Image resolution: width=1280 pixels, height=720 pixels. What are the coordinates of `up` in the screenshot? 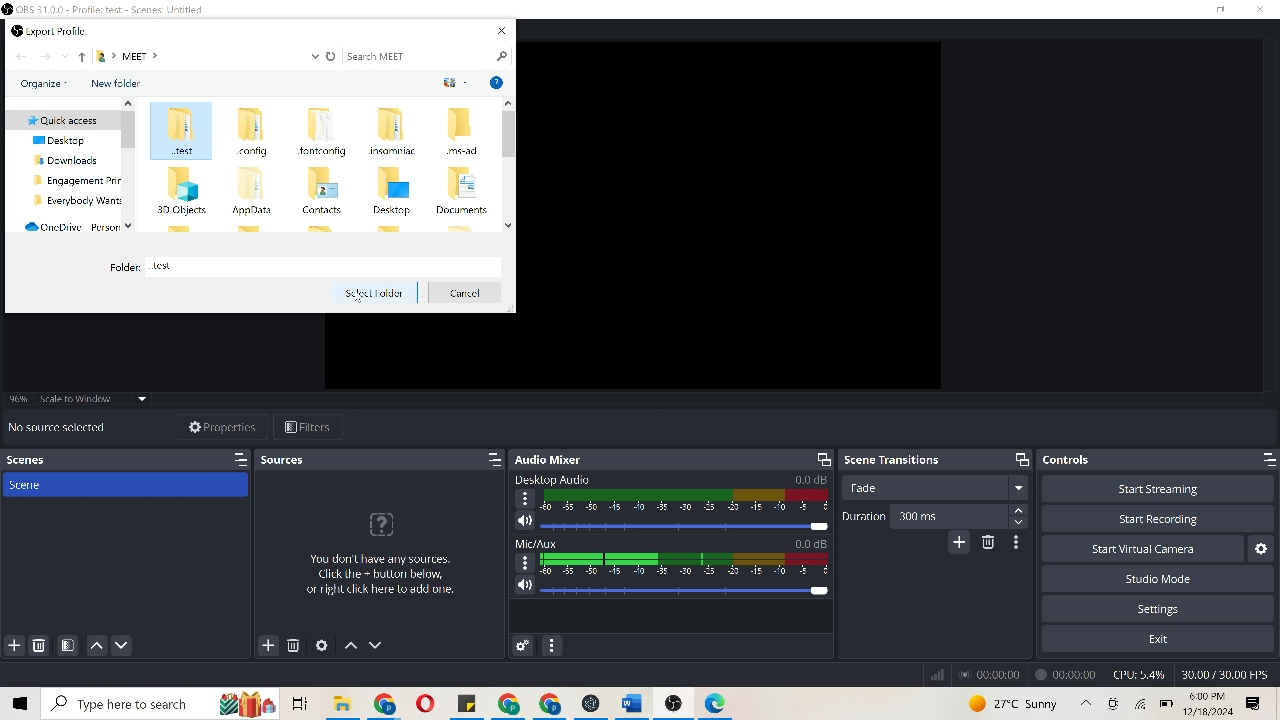 It's located at (82, 59).